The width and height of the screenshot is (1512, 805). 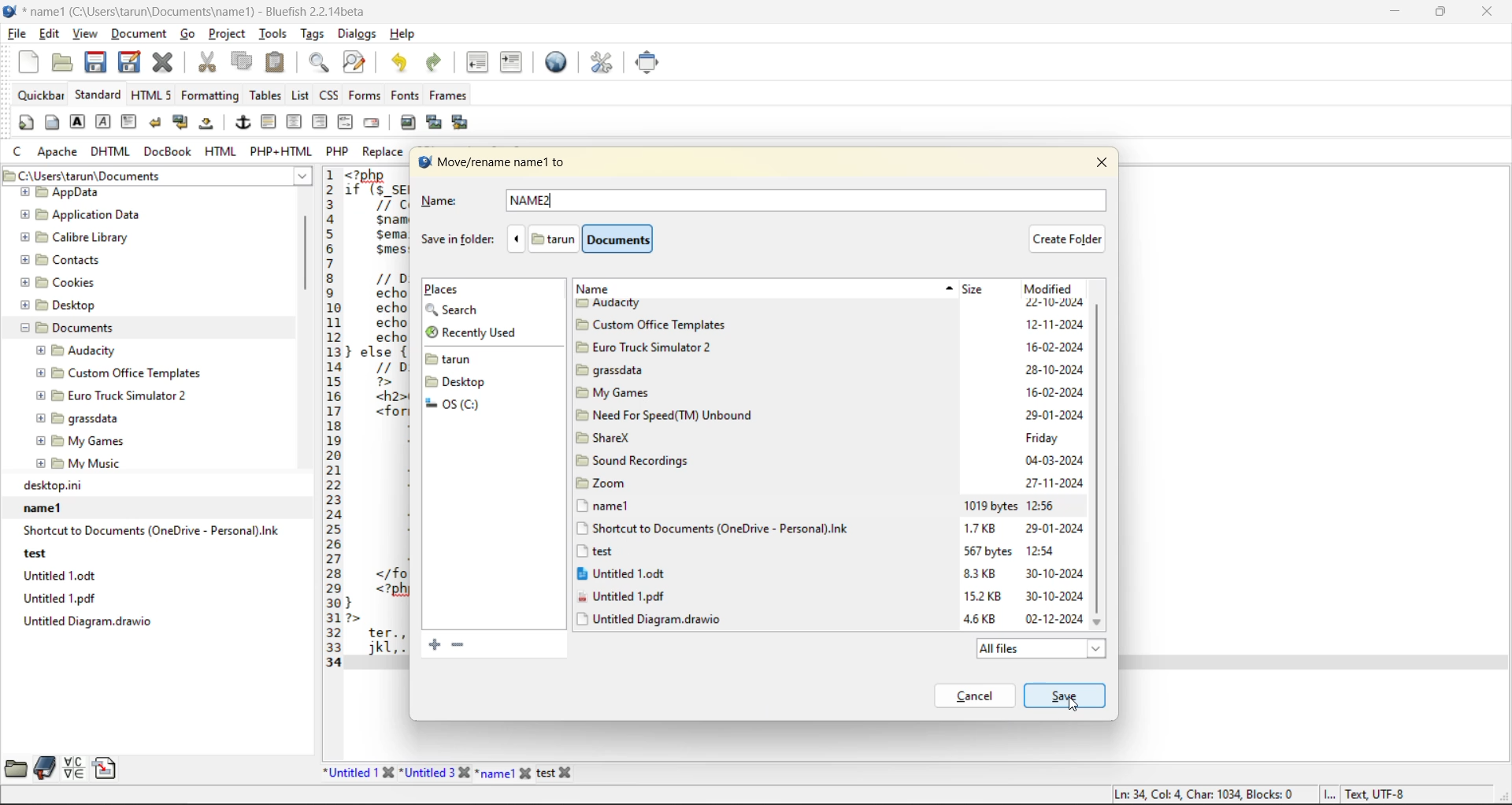 I want to click on preview in browser, so click(x=560, y=61).